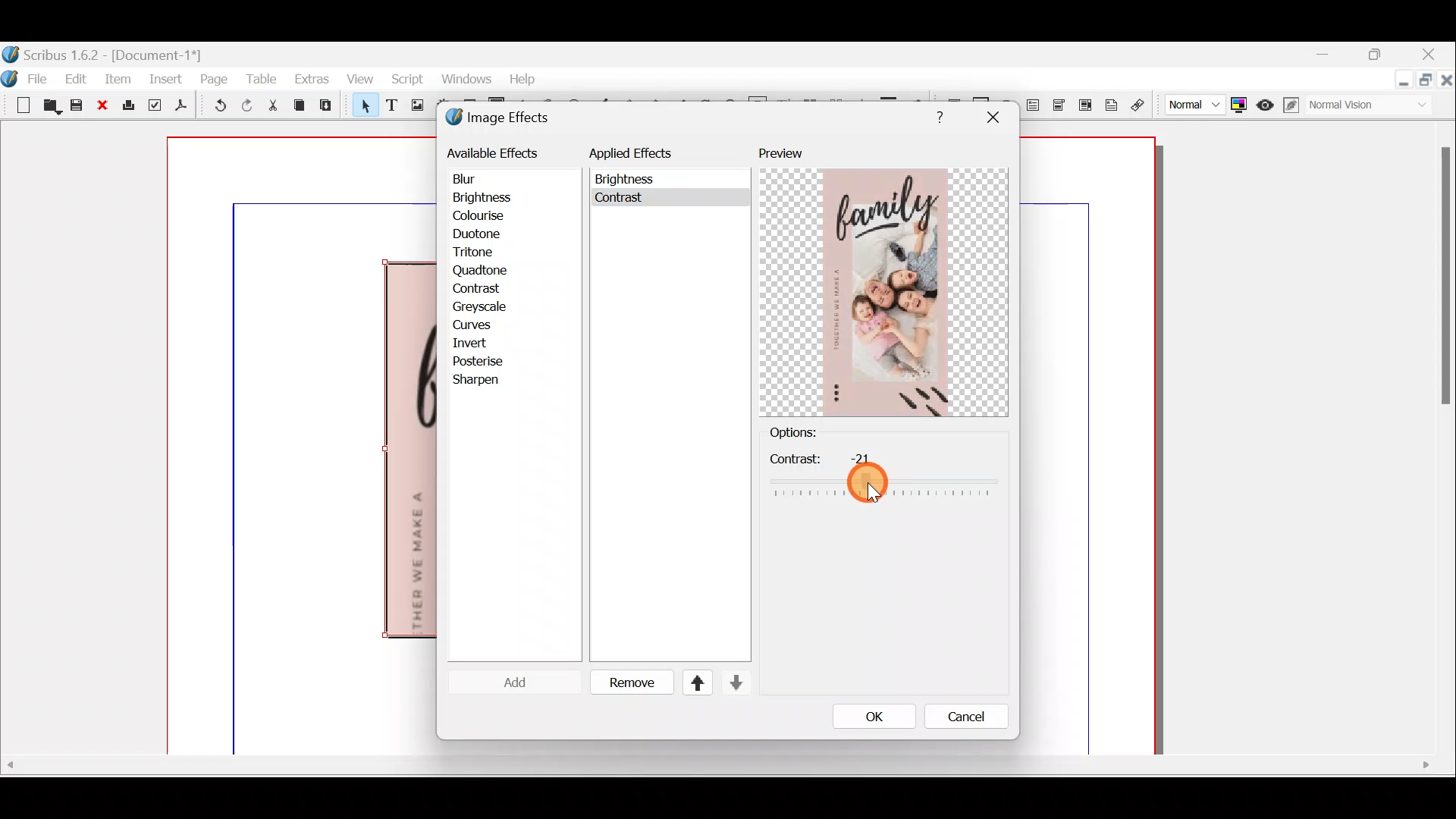 Image resolution: width=1456 pixels, height=819 pixels. I want to click on Open, so click(49, 108).